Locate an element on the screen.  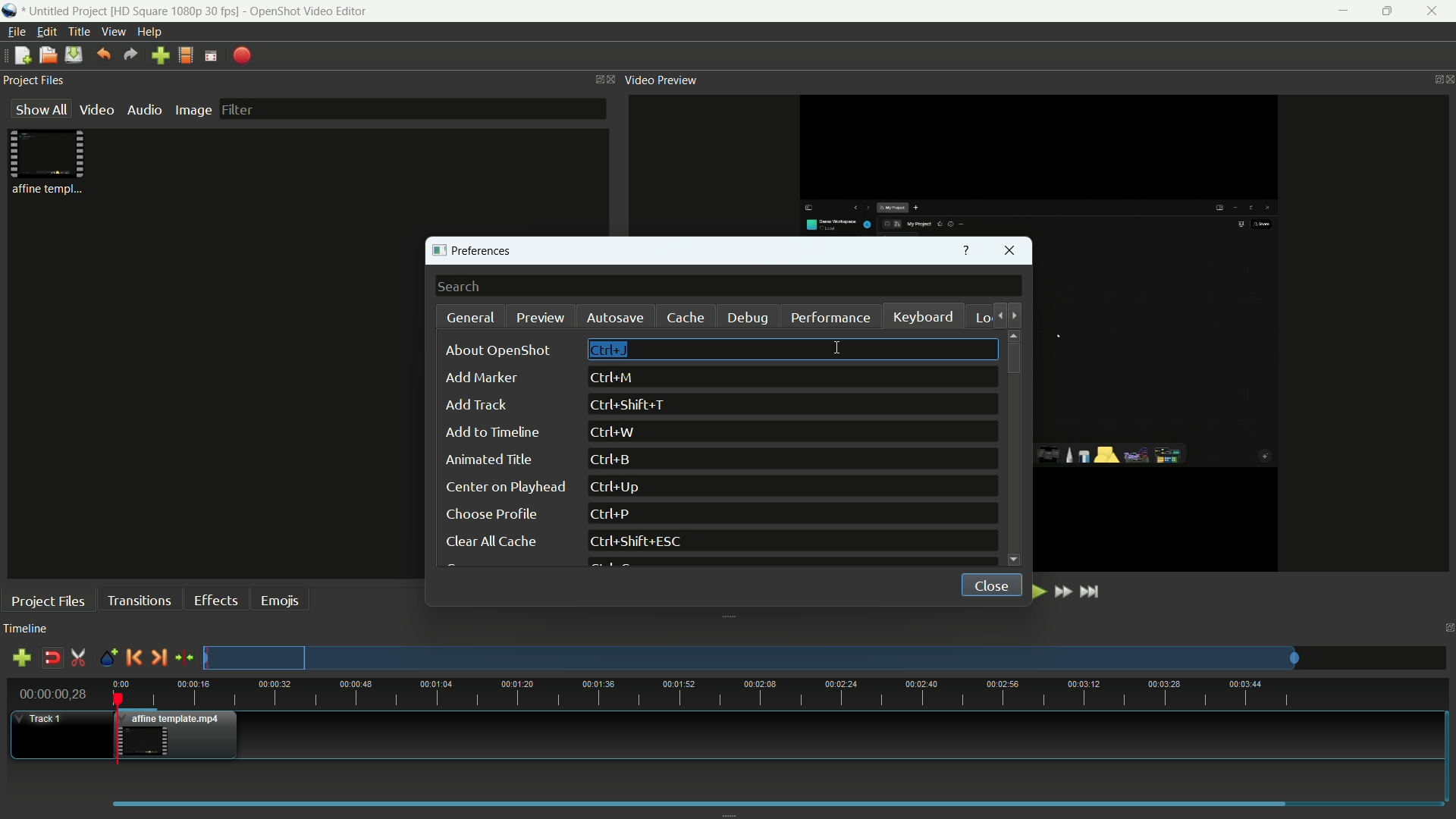
about openshot is located at coordinates (502, 350).